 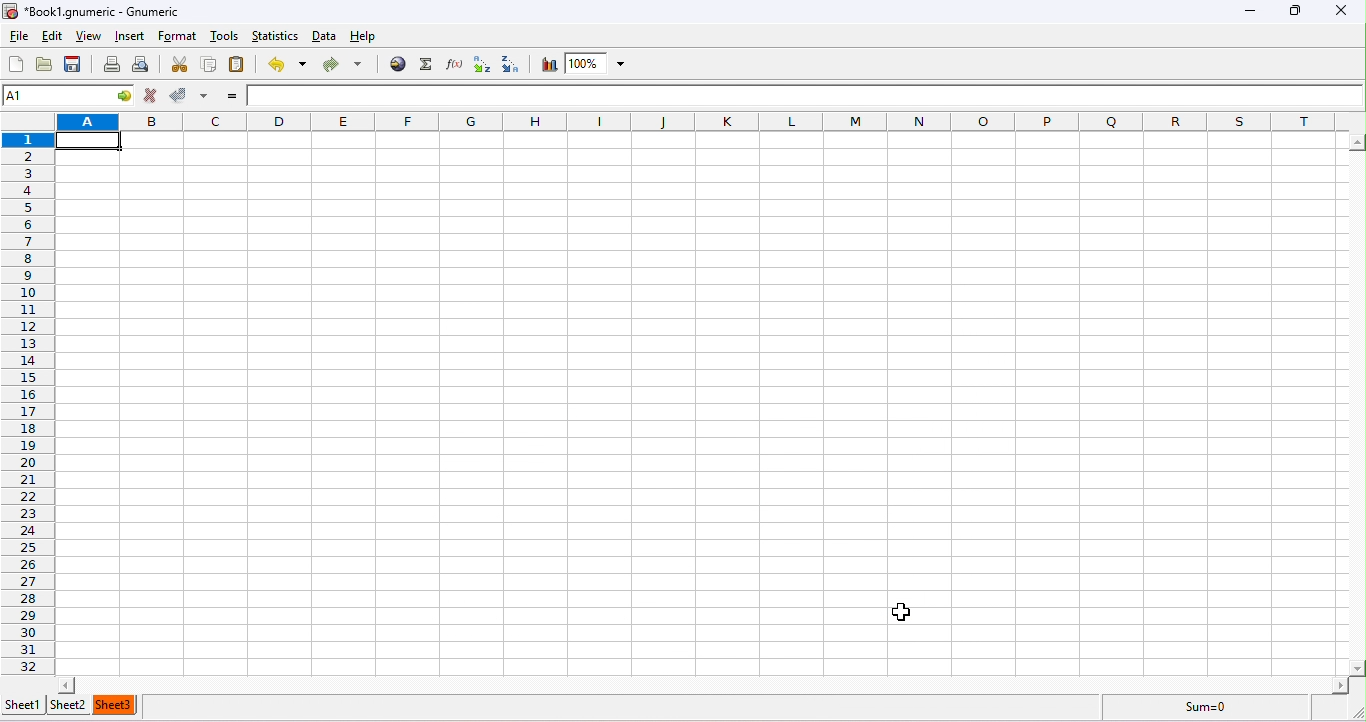 What do you see at coordinates (901, 613) in the screenshot?
I see `Cursor` at bounding box center [901, 613].